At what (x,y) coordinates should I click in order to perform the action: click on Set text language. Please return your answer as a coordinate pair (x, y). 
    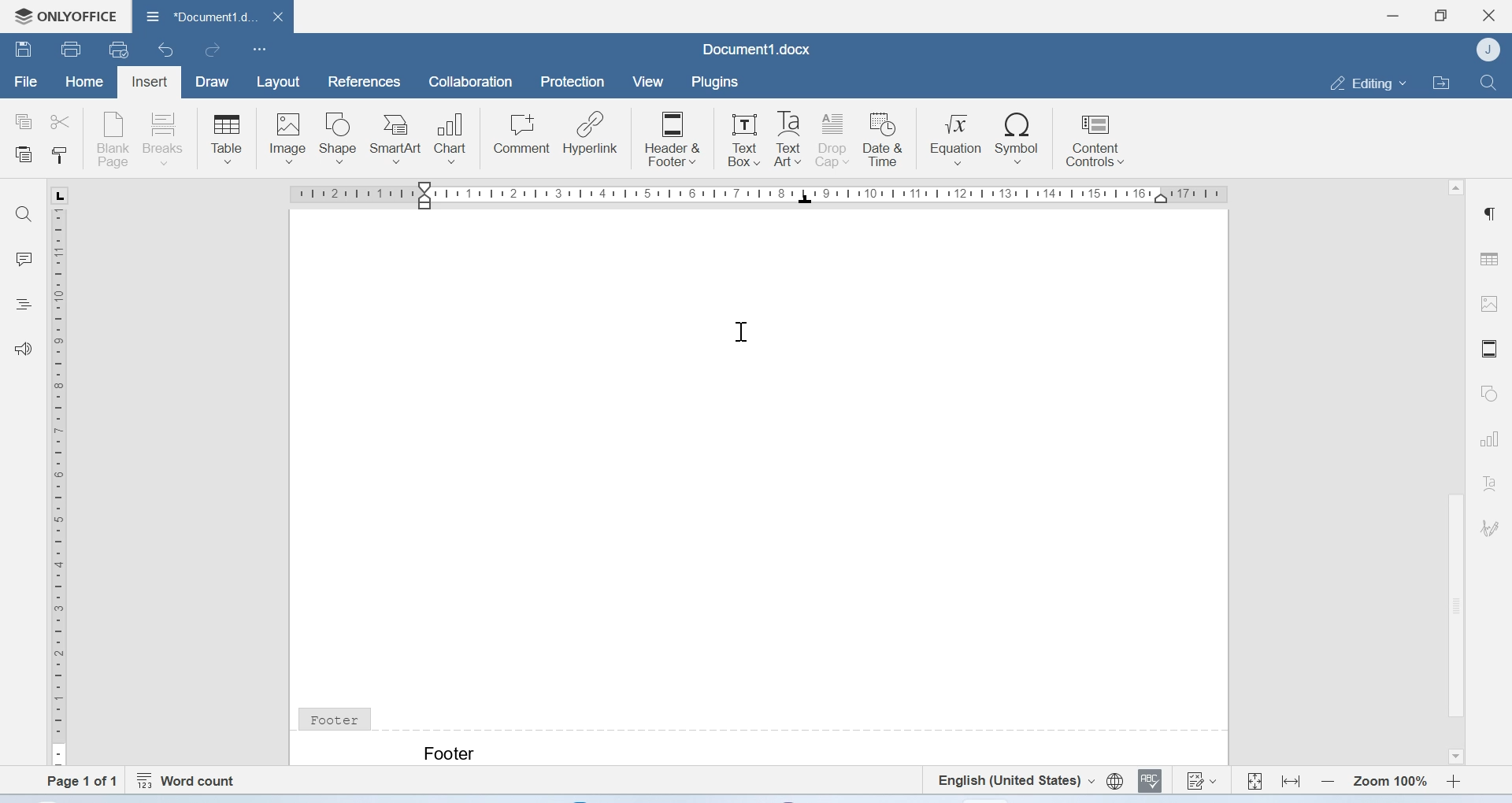
    Looking at the image, I should click on (1016, 780).